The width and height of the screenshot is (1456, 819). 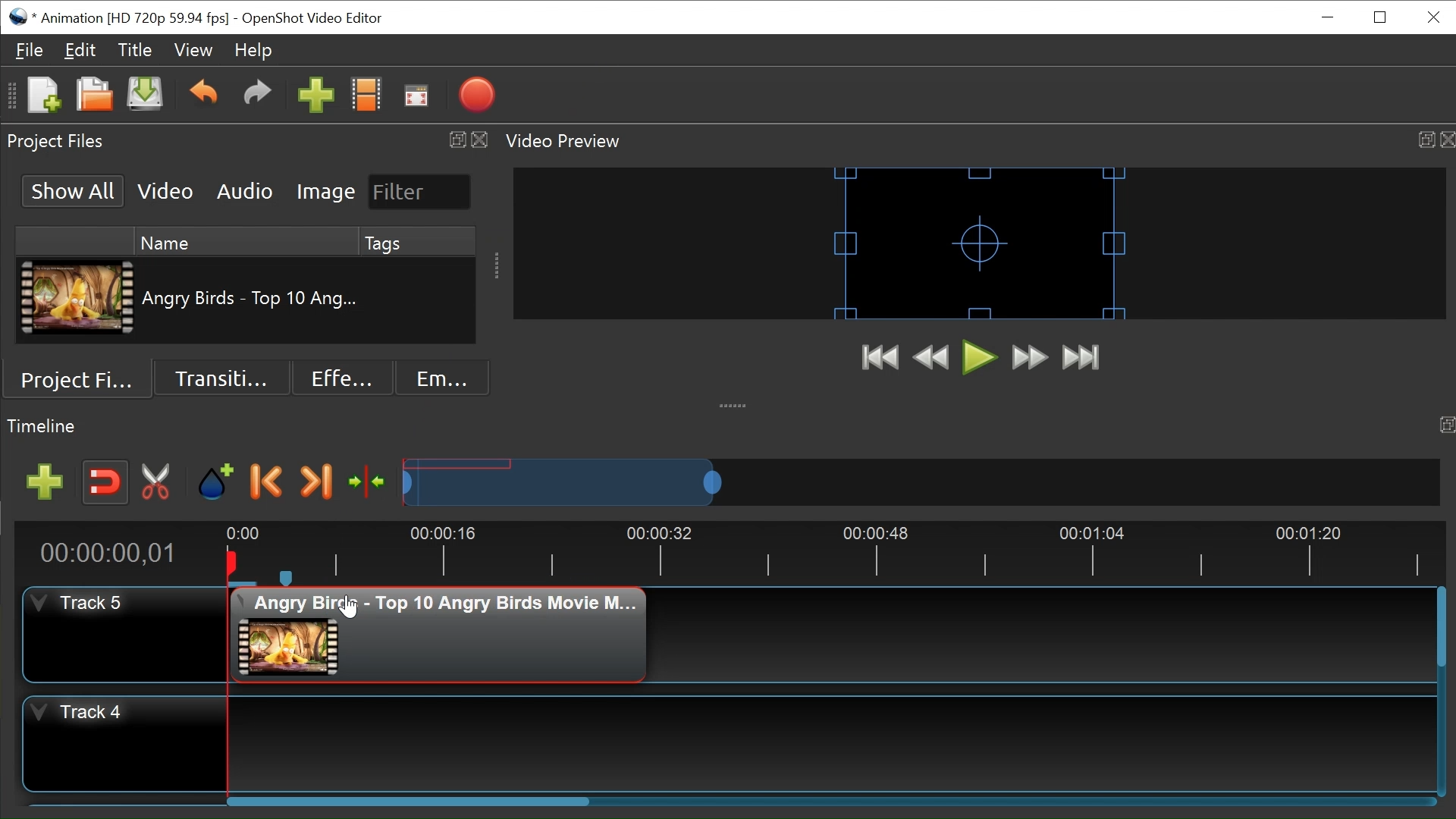 What do you see at coordinates (105, 483) in the screenshot?
I see `Snap` at bounding box center [105, 483].